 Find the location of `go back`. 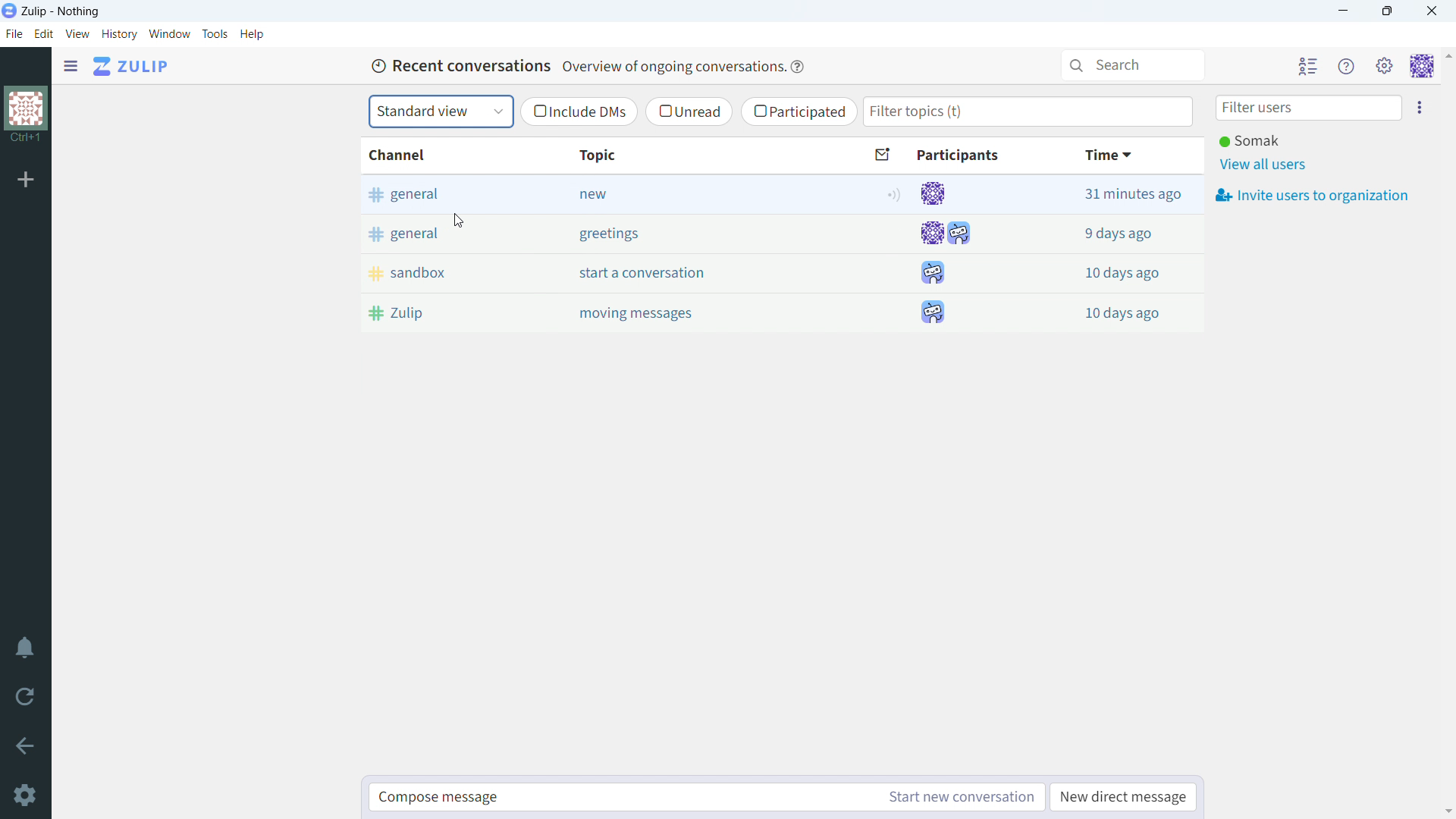

go back is located at coordinates (27, 746).